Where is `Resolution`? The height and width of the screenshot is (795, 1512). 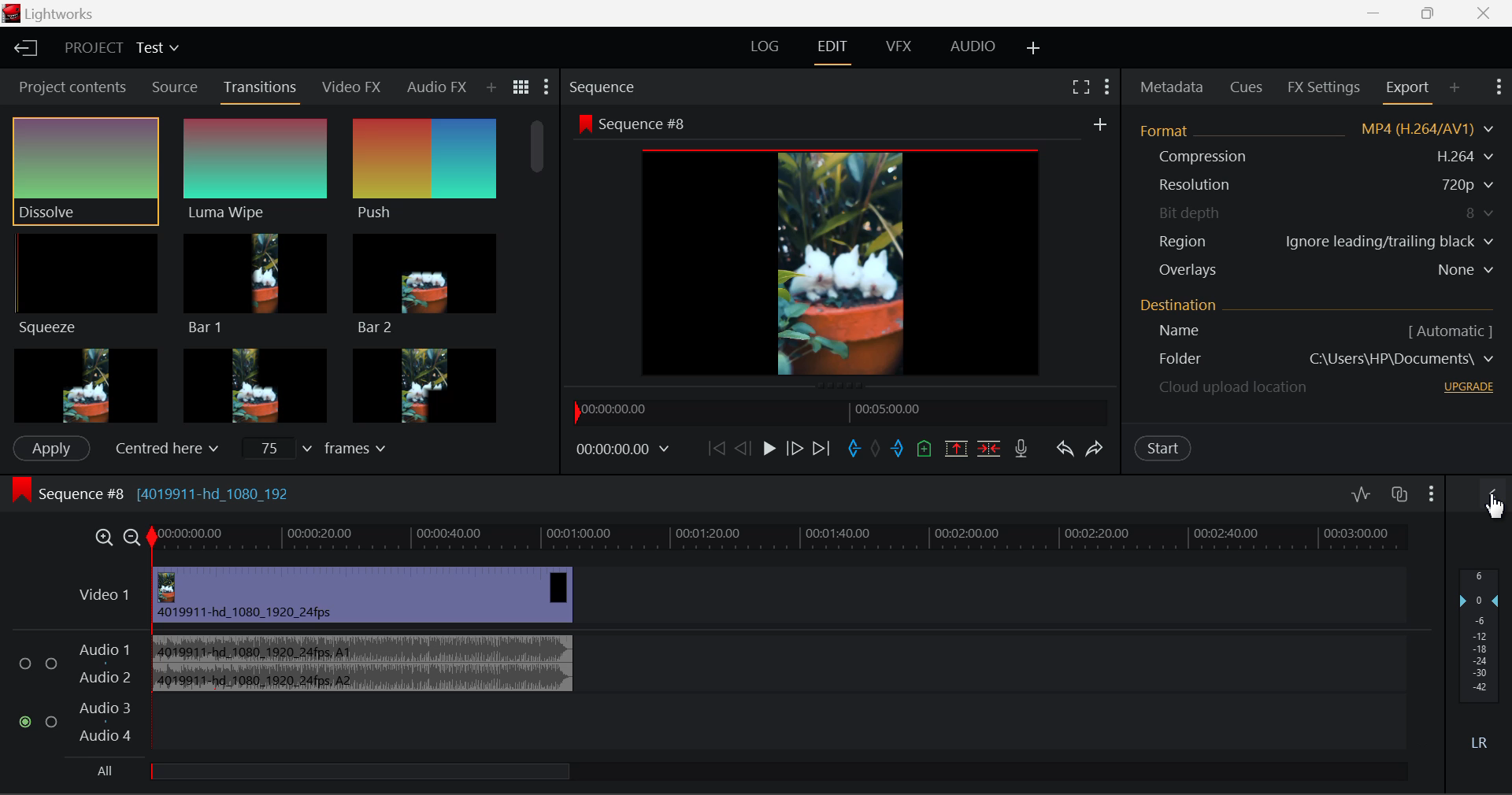
Resolution is located at coordinates (1314, 183).